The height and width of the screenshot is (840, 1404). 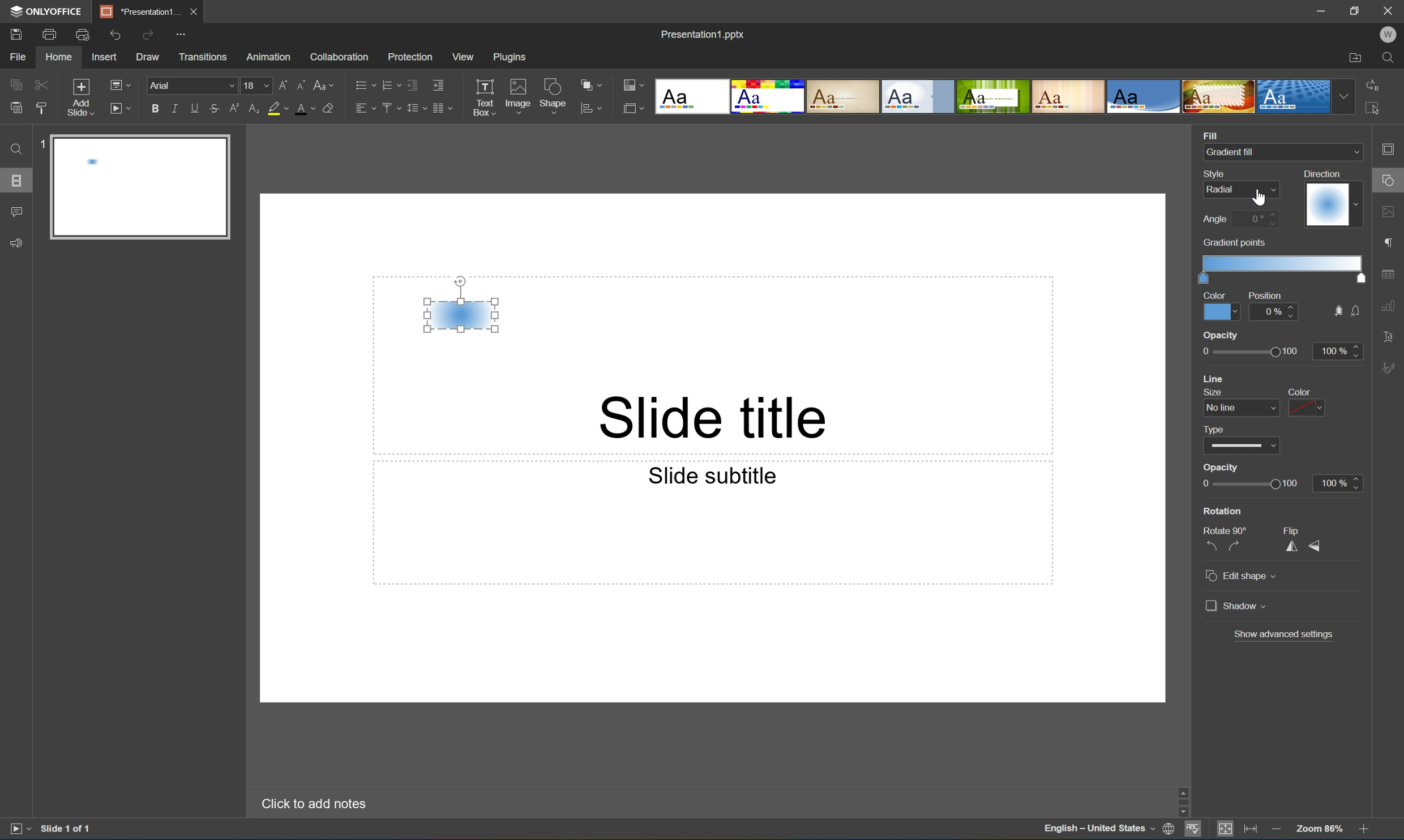 I want to click on Shadow, so click(x=1236, y=605).